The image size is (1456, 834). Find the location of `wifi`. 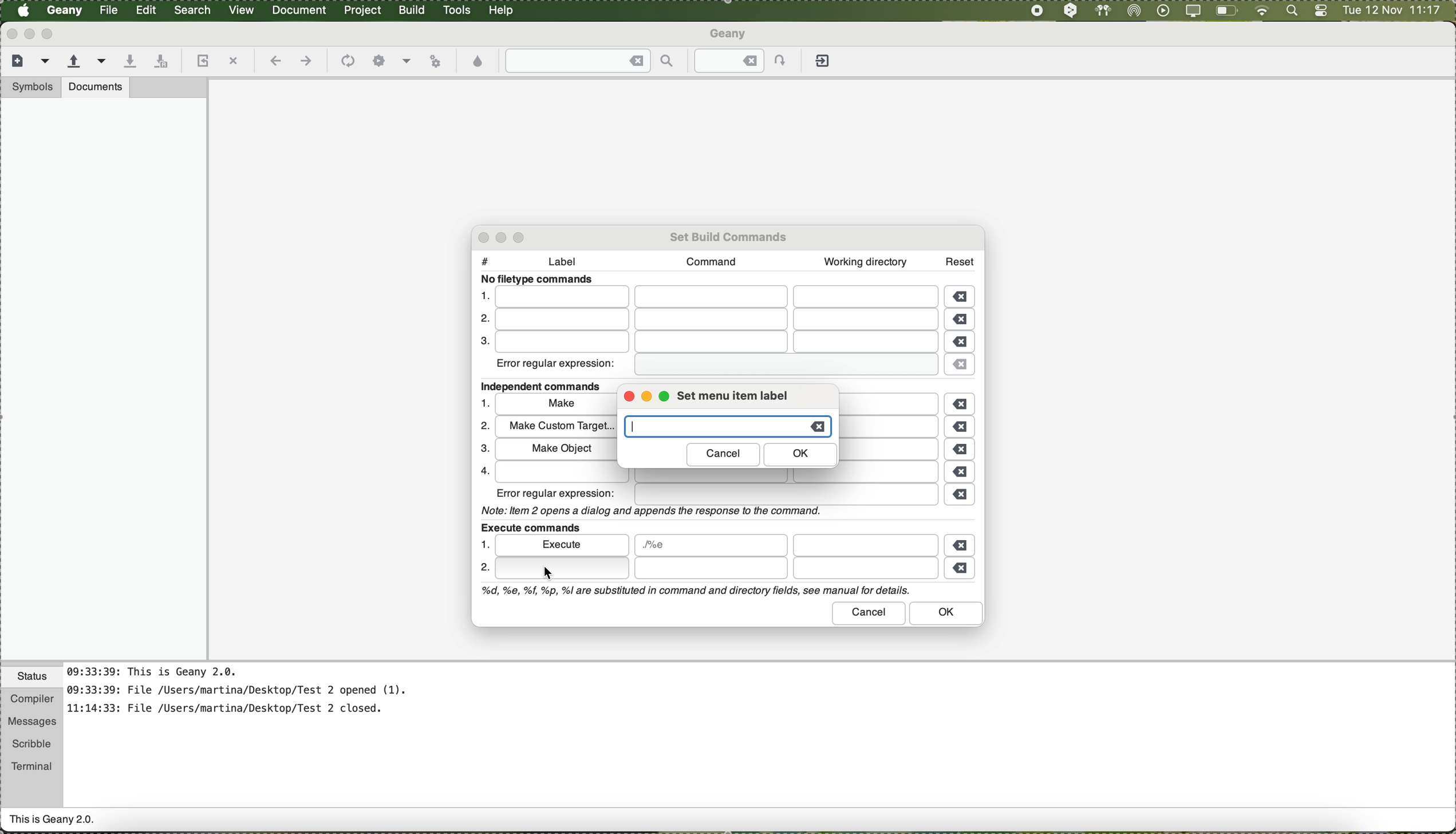

wifi is located at coordinates (1262, 11).